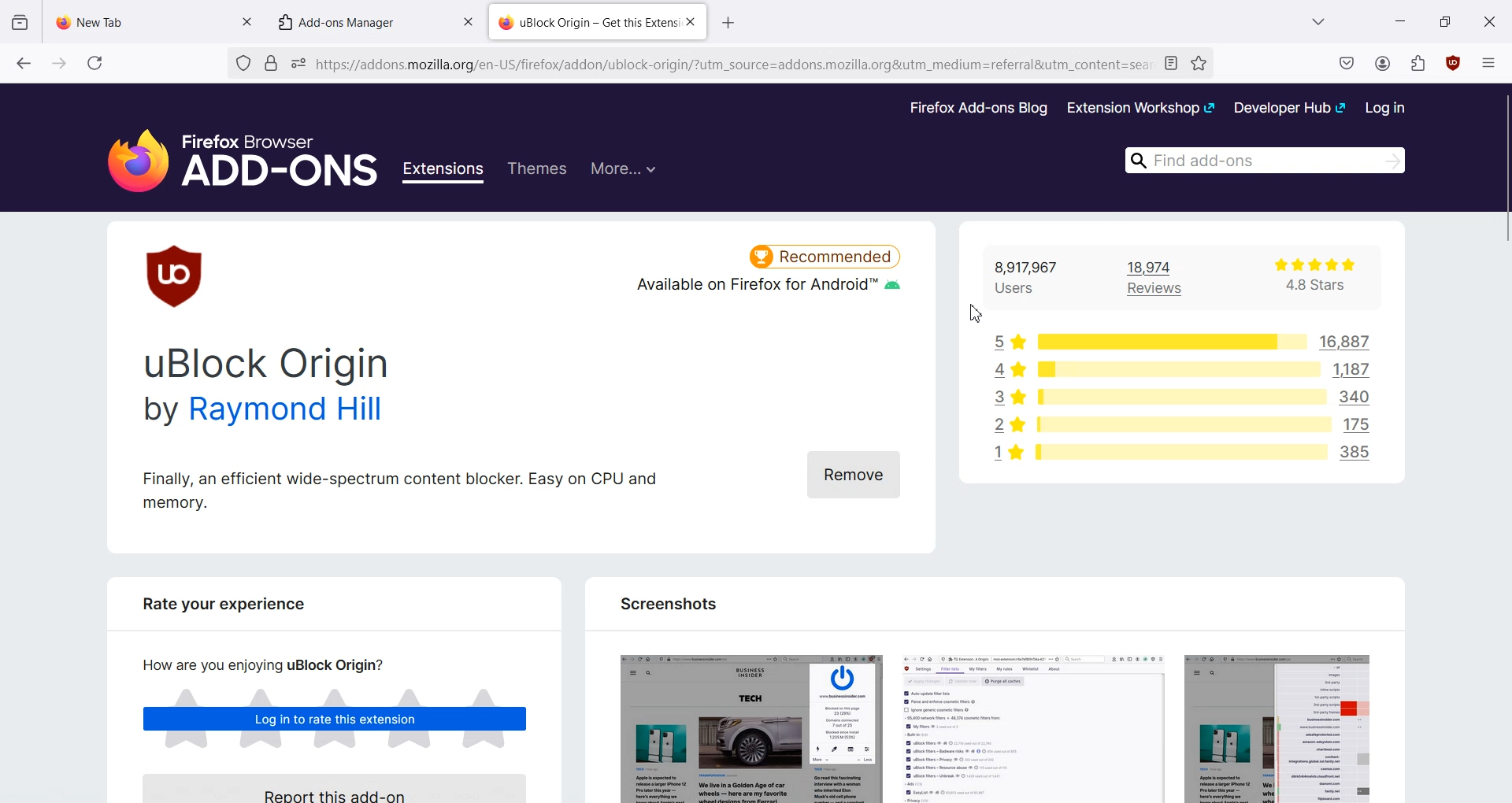 This screenshot has width=1512, height=803. What do you see at coordinates (468, 22) in the screenshot?
I see `Close tab` at bounding box center [468, 22].